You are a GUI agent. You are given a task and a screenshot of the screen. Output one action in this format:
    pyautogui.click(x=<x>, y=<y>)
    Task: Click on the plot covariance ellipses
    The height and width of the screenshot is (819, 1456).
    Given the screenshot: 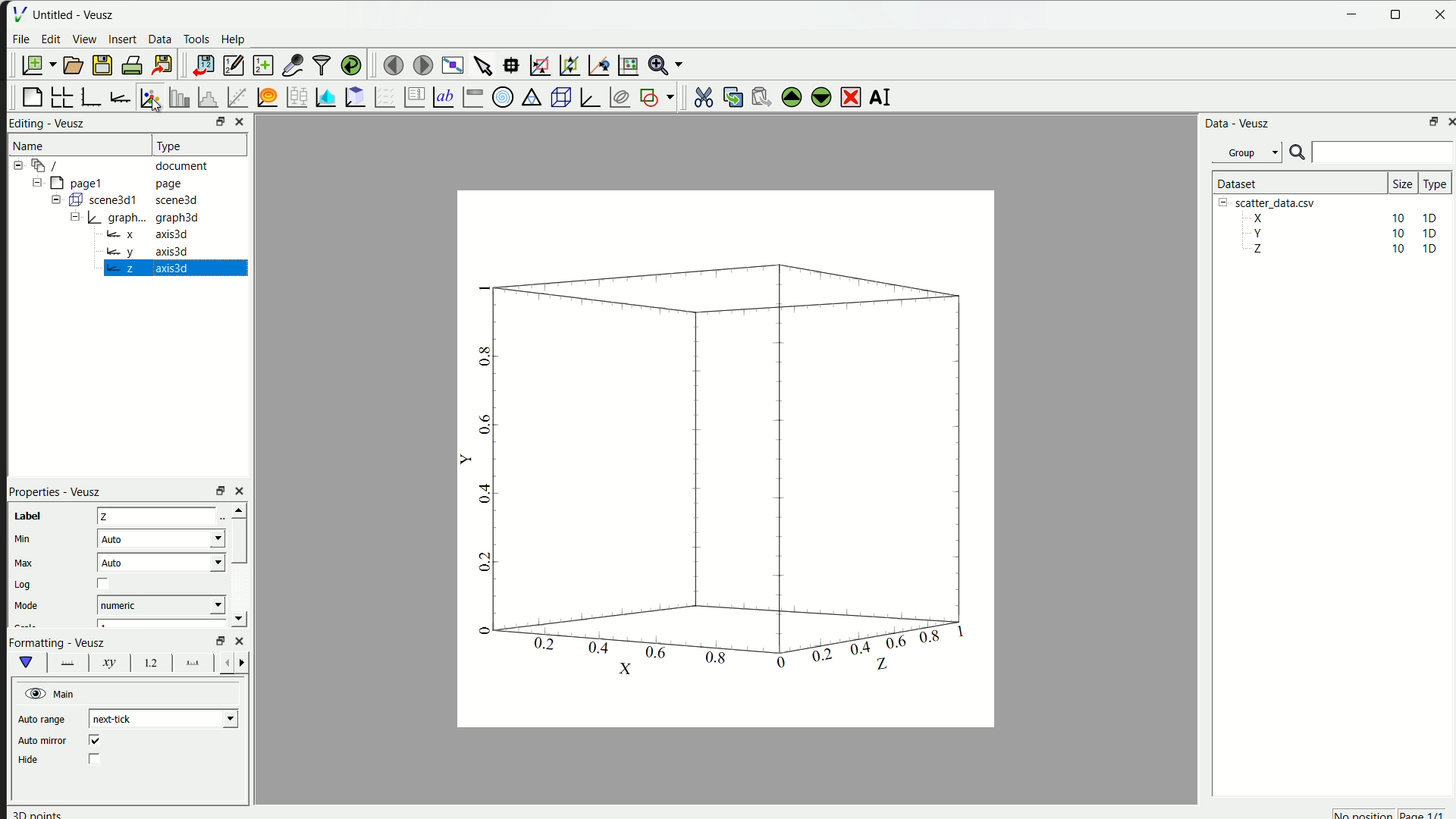 What is the action you would take?
    pyautogui.click(x=617, y=96)
    